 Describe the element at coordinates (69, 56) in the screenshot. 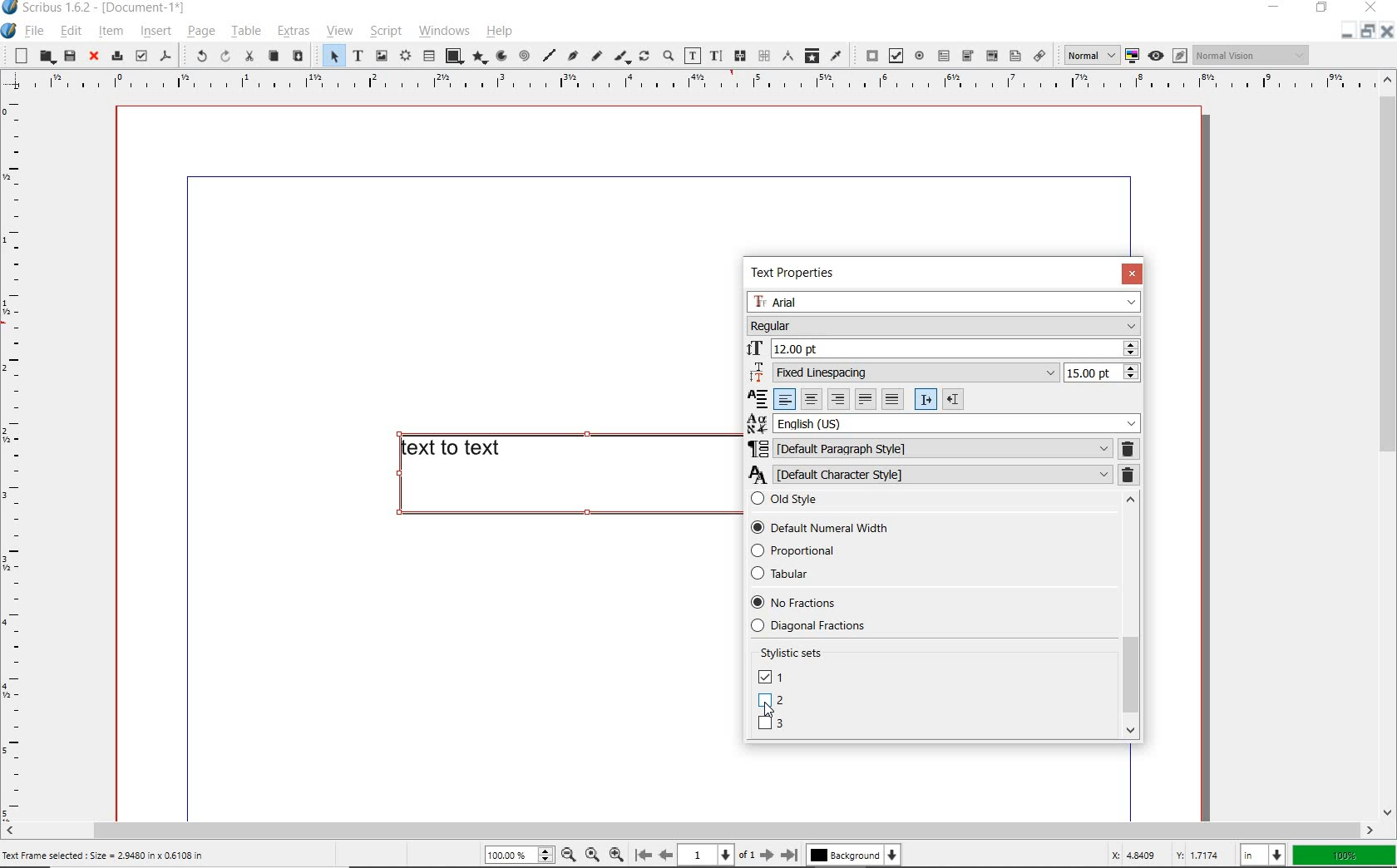

I see `save` at that location.